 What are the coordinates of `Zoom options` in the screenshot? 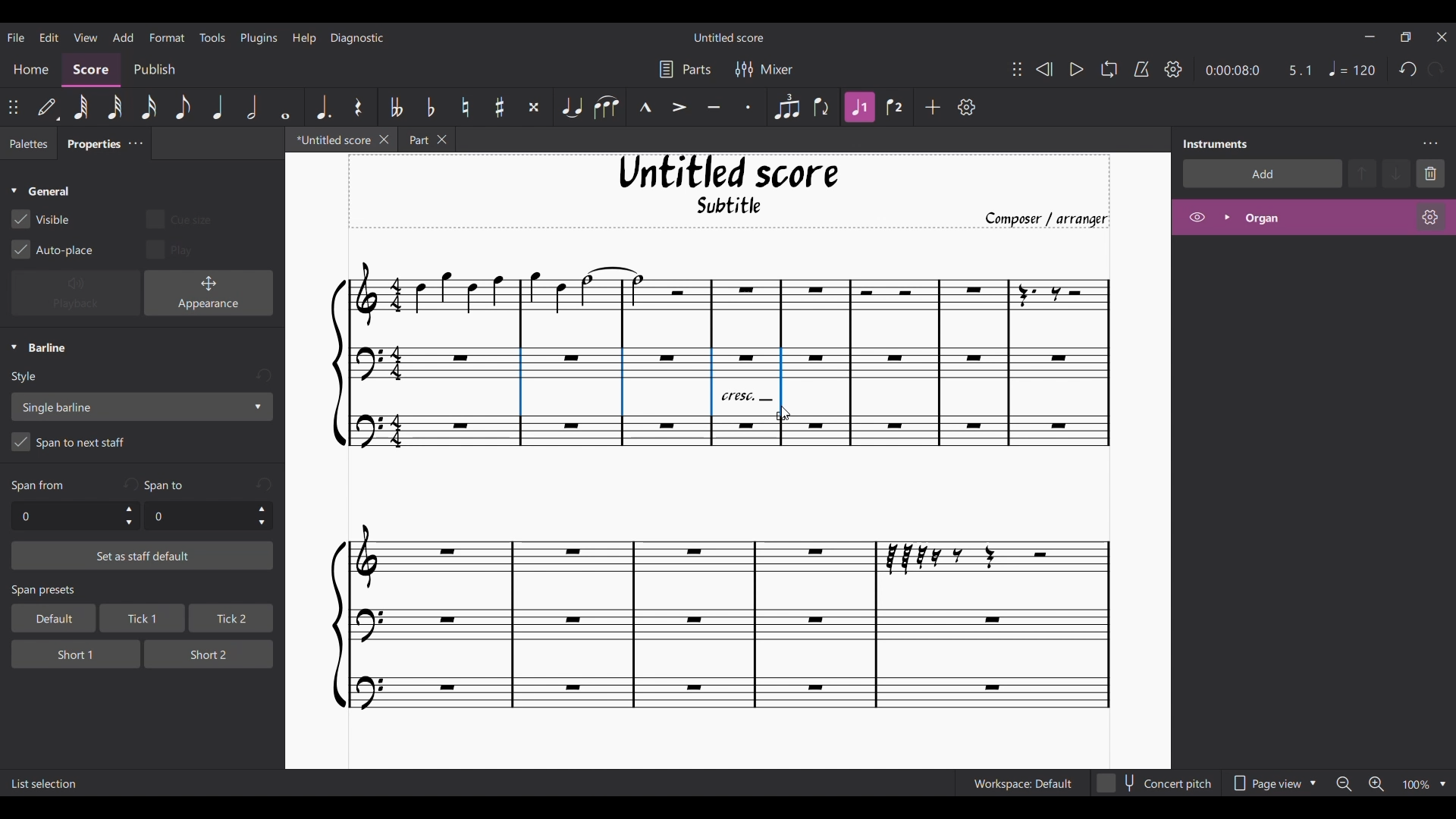 It's located at (1443, 784).